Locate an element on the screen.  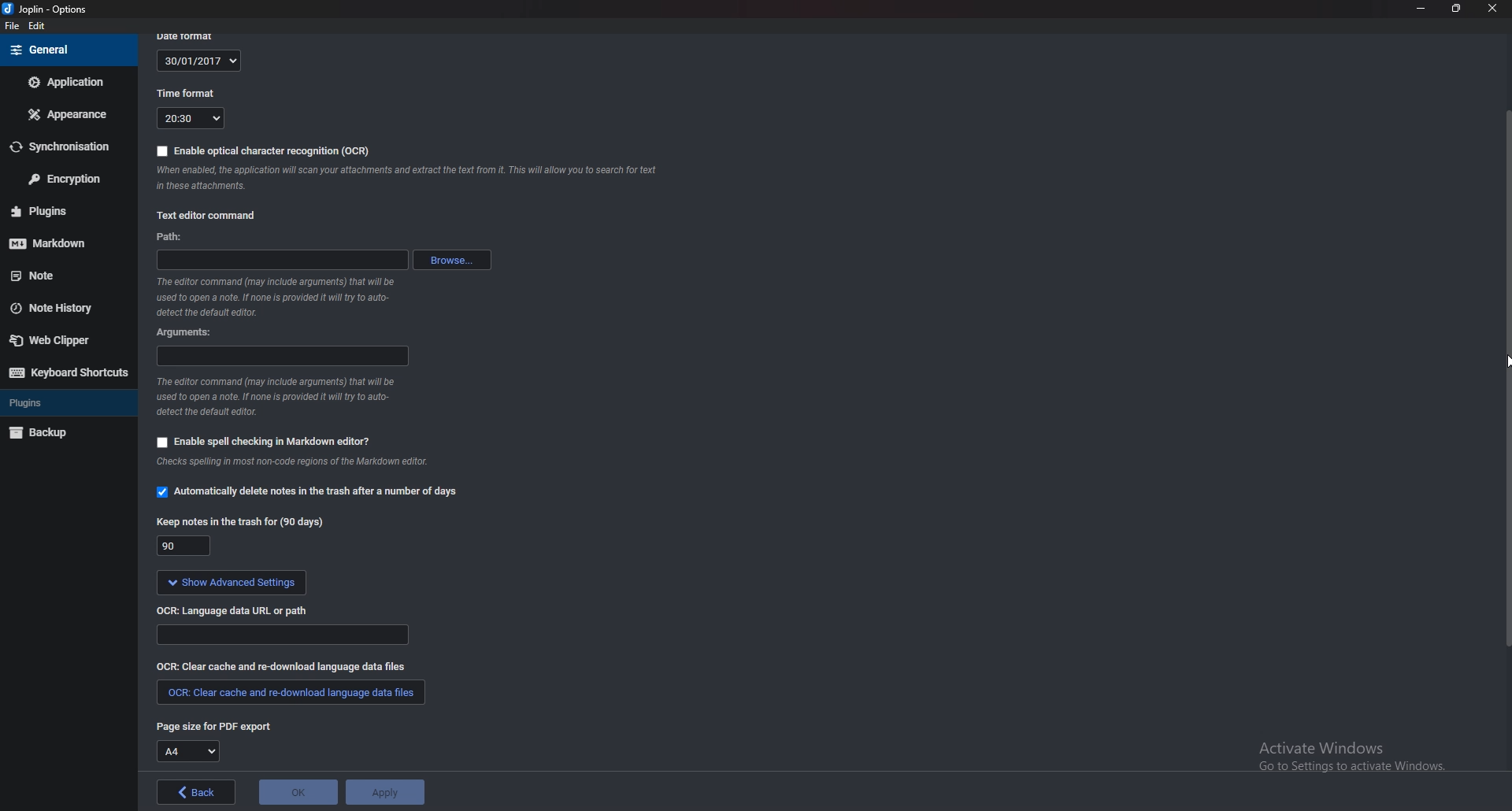
Keyboard shortcuts is located at coordinates (66, 373).